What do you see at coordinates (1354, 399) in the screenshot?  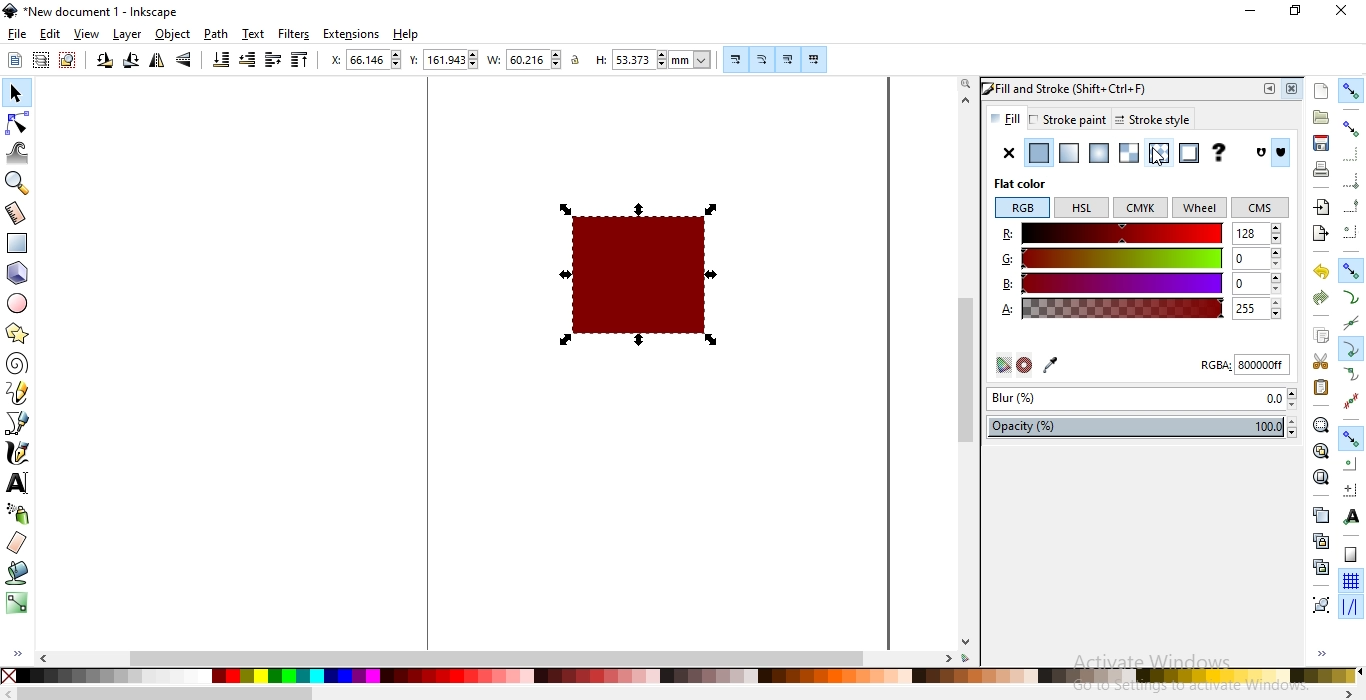 I see `snap midpoints of line segments` at bounding box center [1354, 399].